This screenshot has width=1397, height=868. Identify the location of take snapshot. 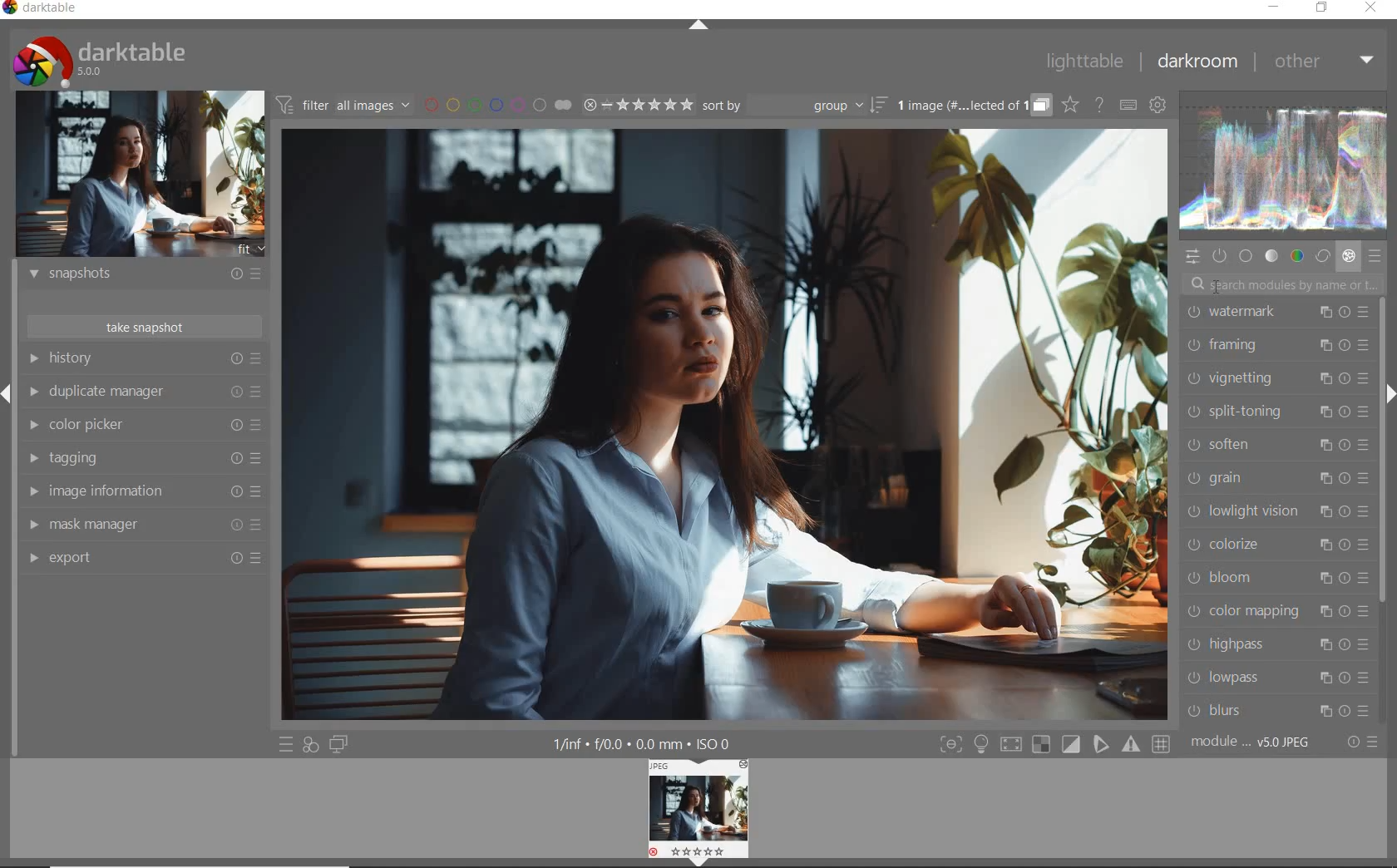
(143, 326).